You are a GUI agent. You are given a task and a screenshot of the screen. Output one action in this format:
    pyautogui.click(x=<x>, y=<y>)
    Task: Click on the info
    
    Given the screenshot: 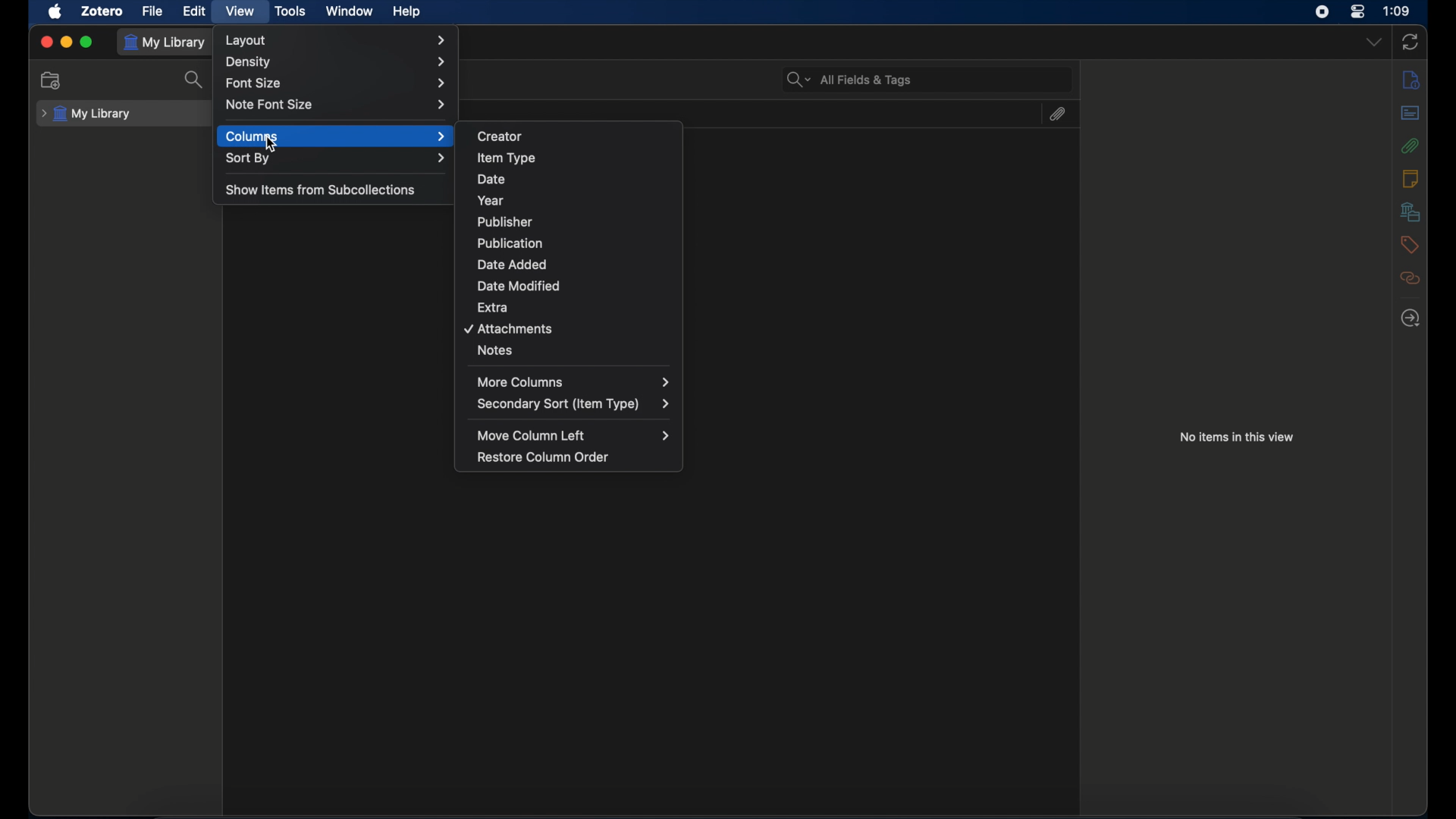 What is the action you would take?
    pyautogui.click(x=1412, y=80)
    